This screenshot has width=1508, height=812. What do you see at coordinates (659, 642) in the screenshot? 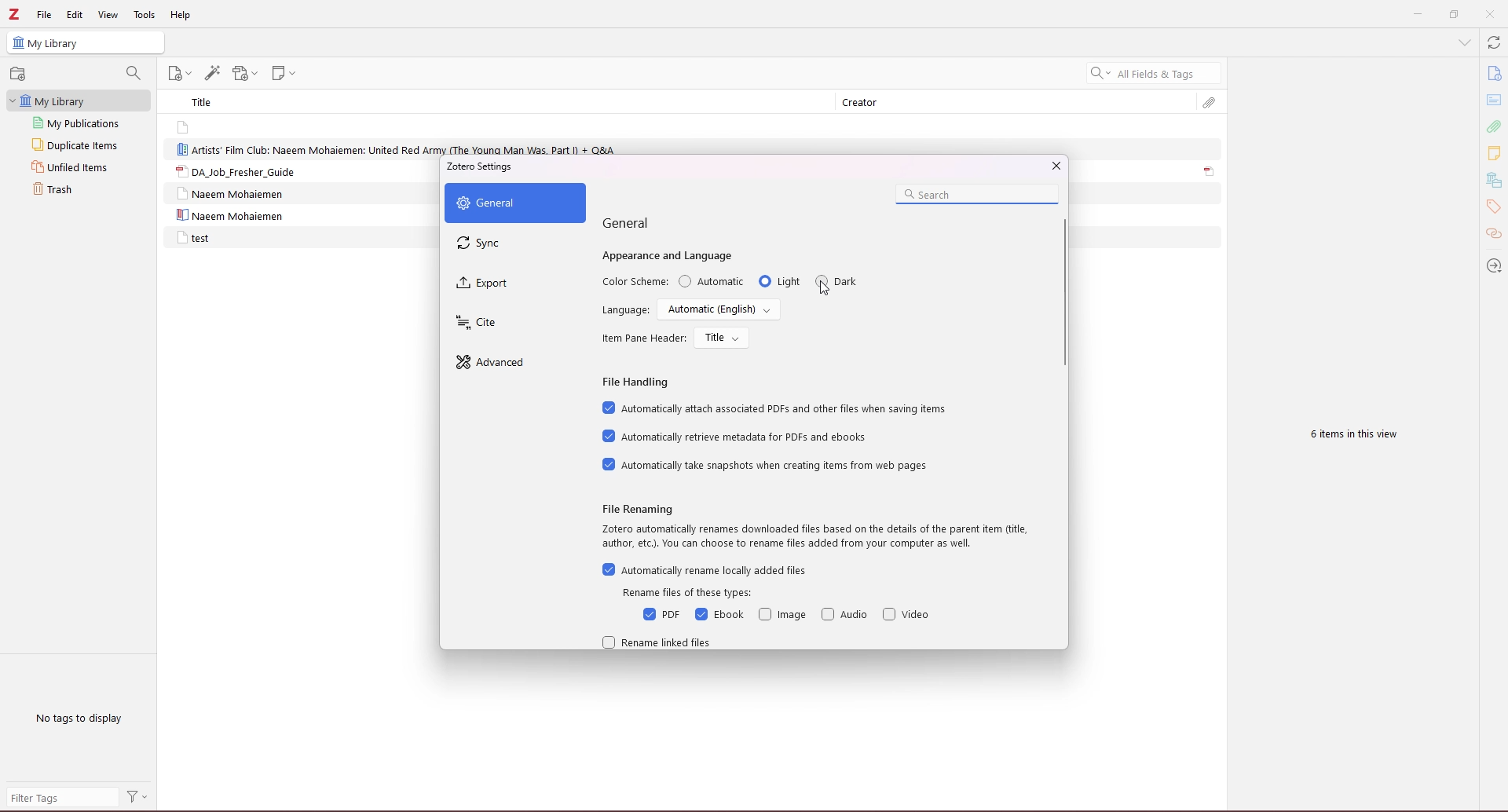
I see `rename linked files` at bounding box center [659, 642].